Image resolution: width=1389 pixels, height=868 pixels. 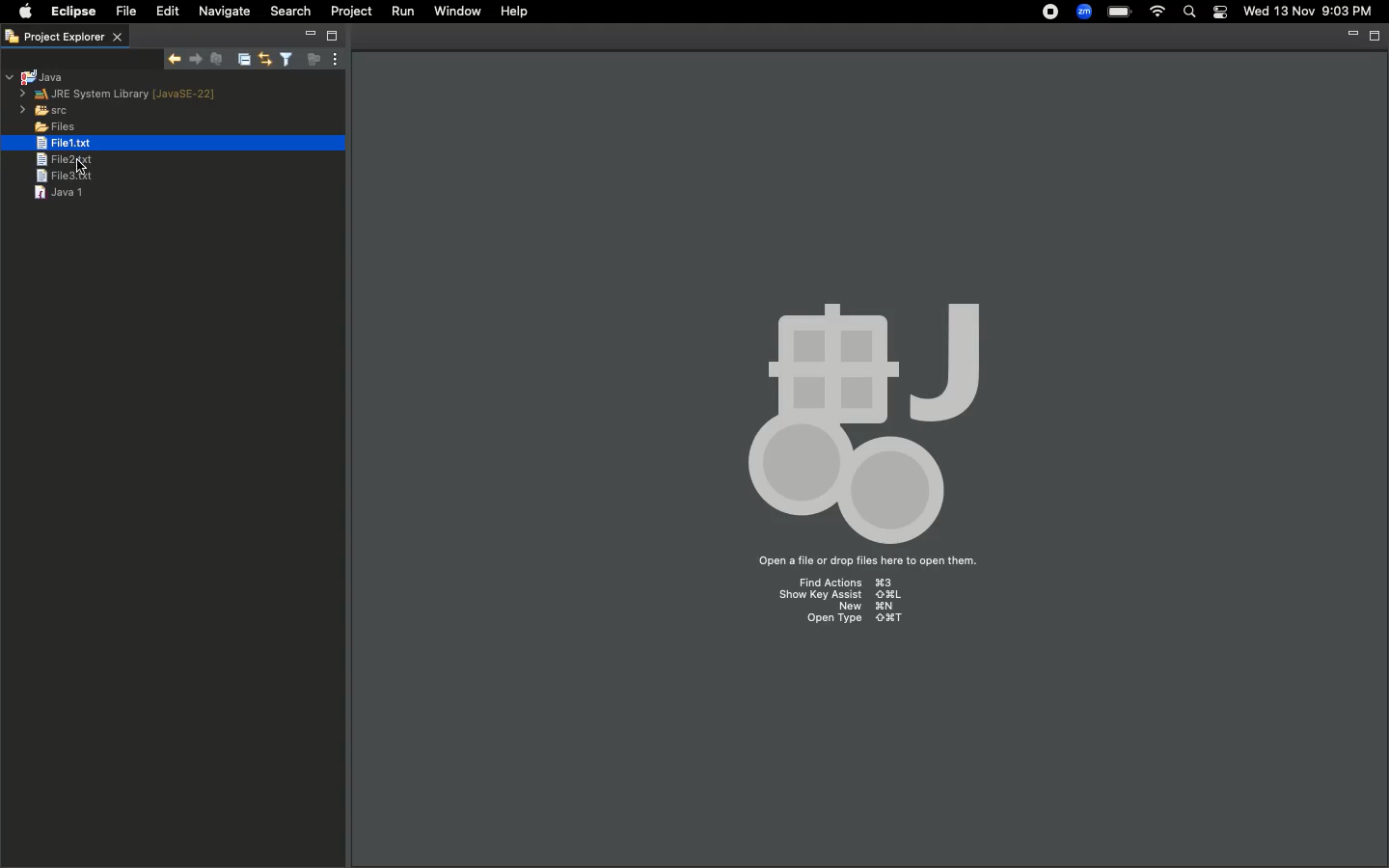 What do you see at coordinates (840, 596) in the screenshot?
I see `Show key assist` at bounding box center [840, 596].